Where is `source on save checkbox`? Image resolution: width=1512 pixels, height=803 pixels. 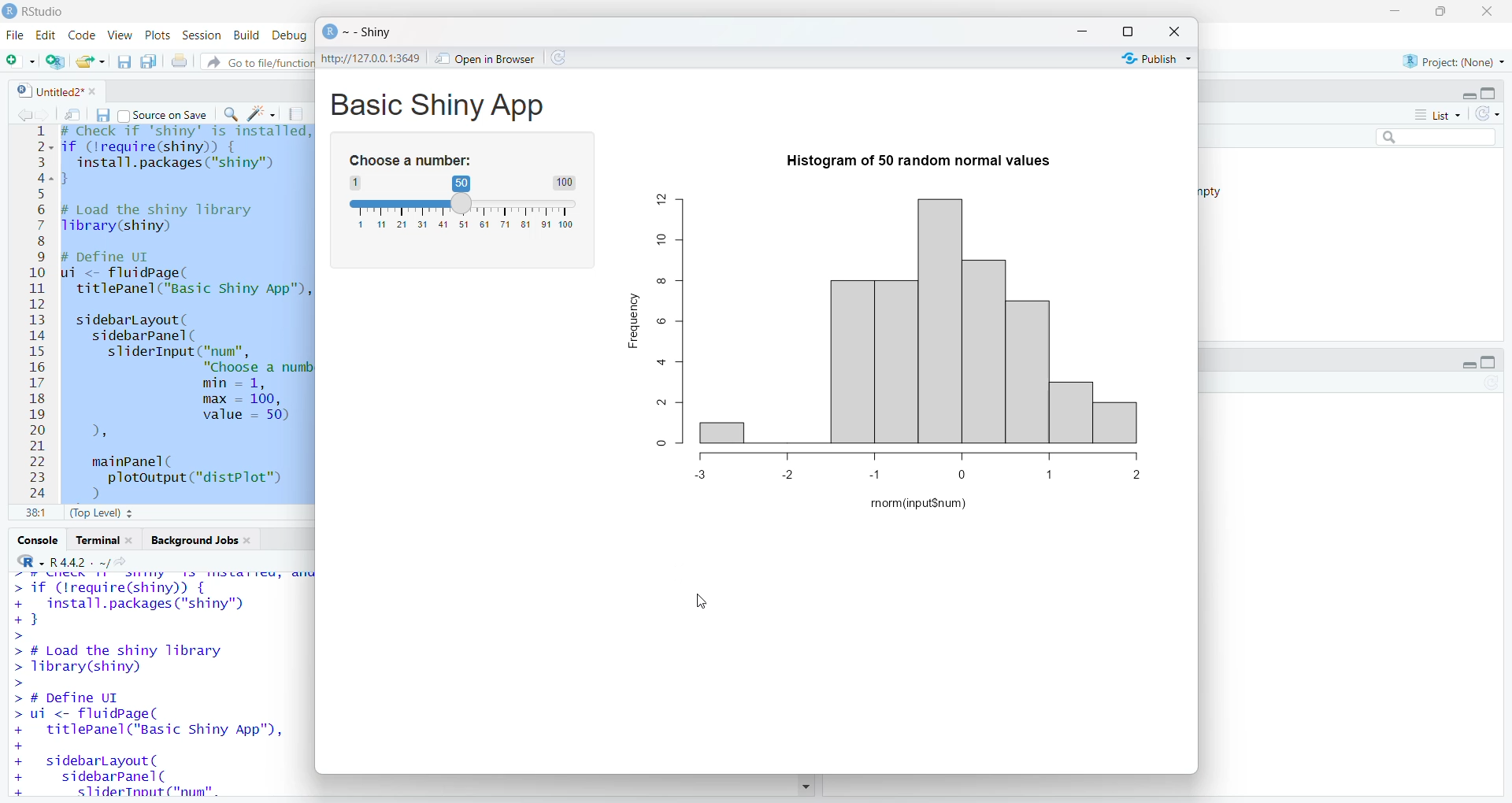
source on save checkbox is located at coordinates (164, 114).